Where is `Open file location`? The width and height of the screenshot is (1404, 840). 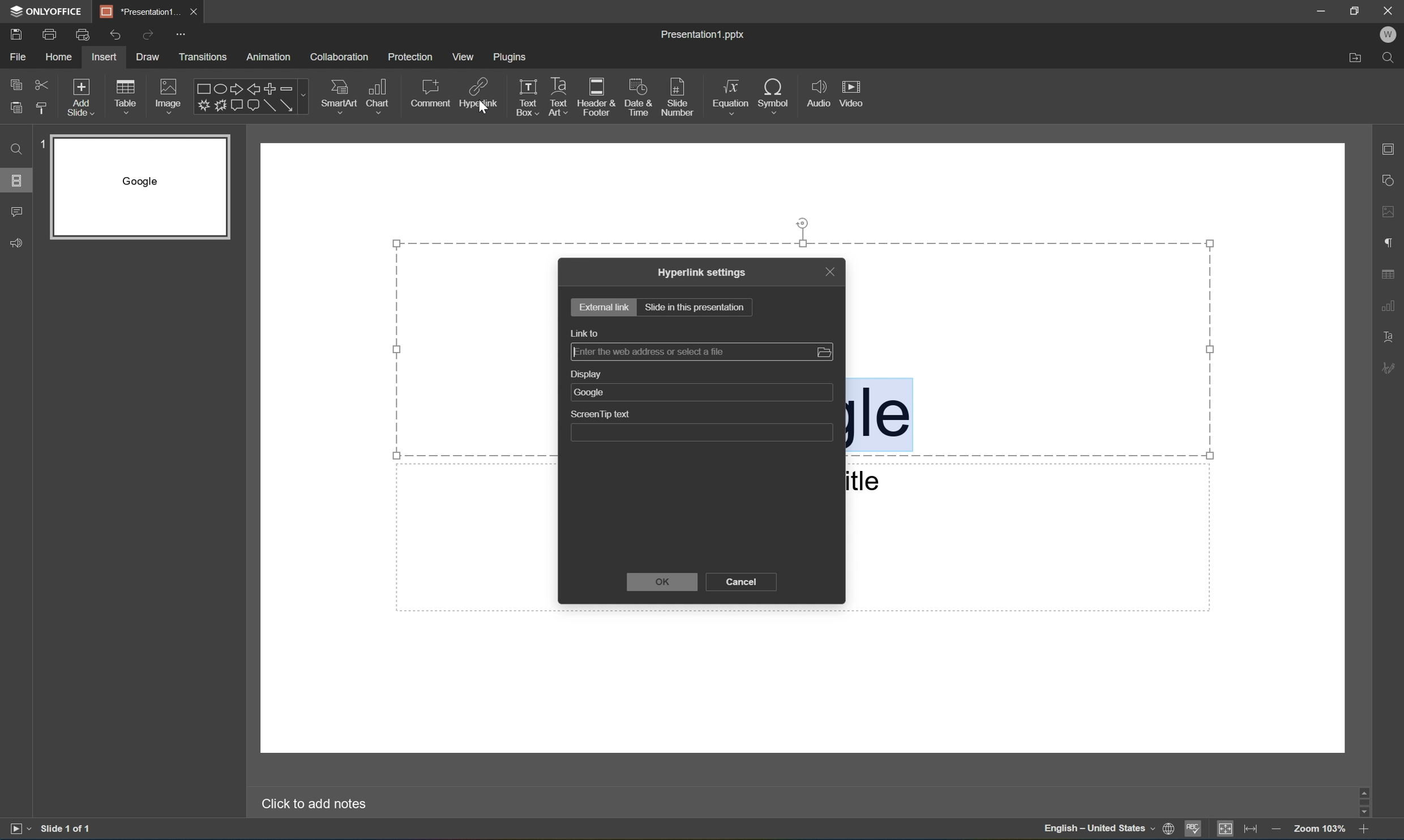
Open file location is located at coordinates (1355, 59).